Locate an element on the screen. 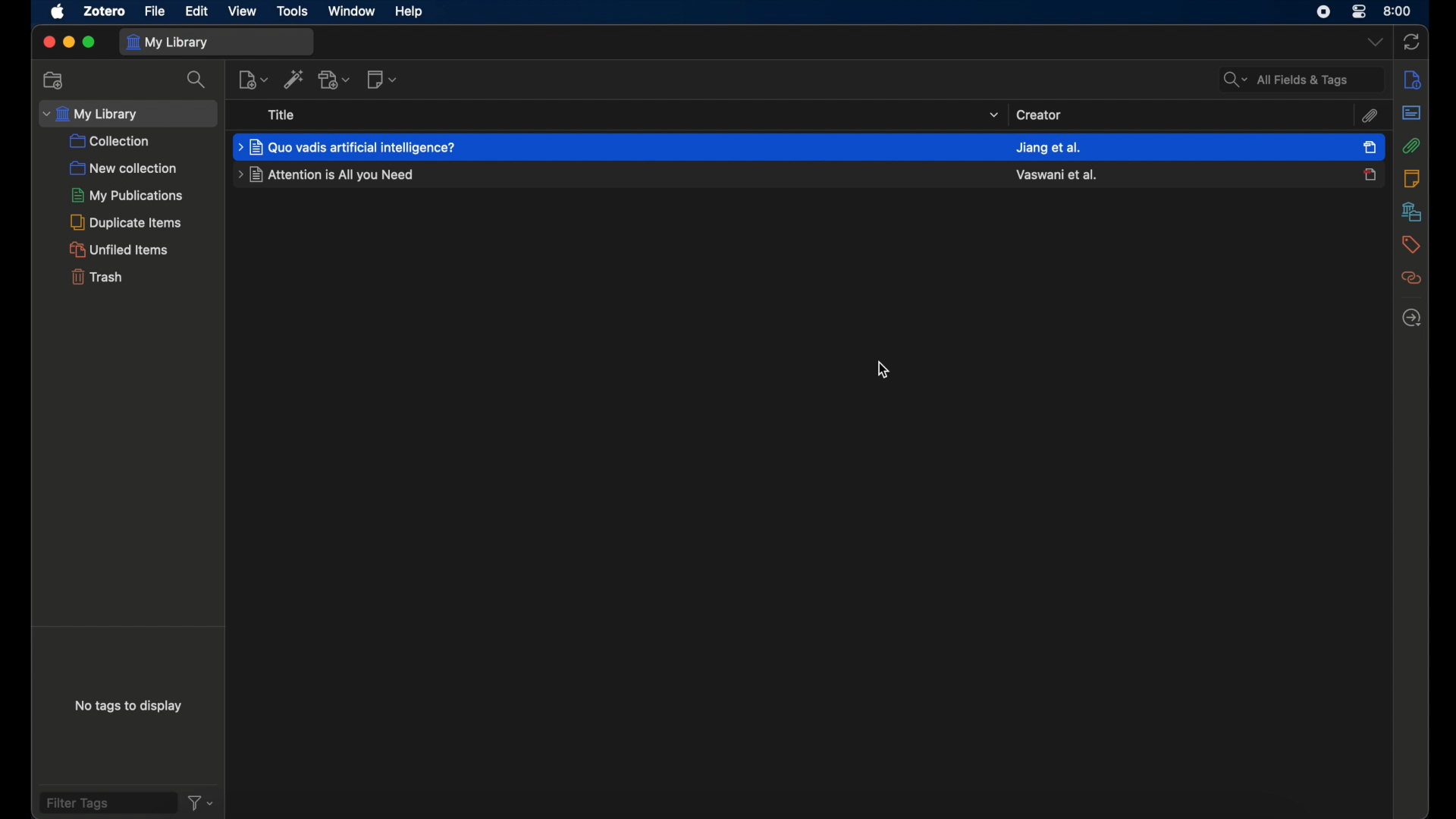  file is located at coordinates (155, 12).